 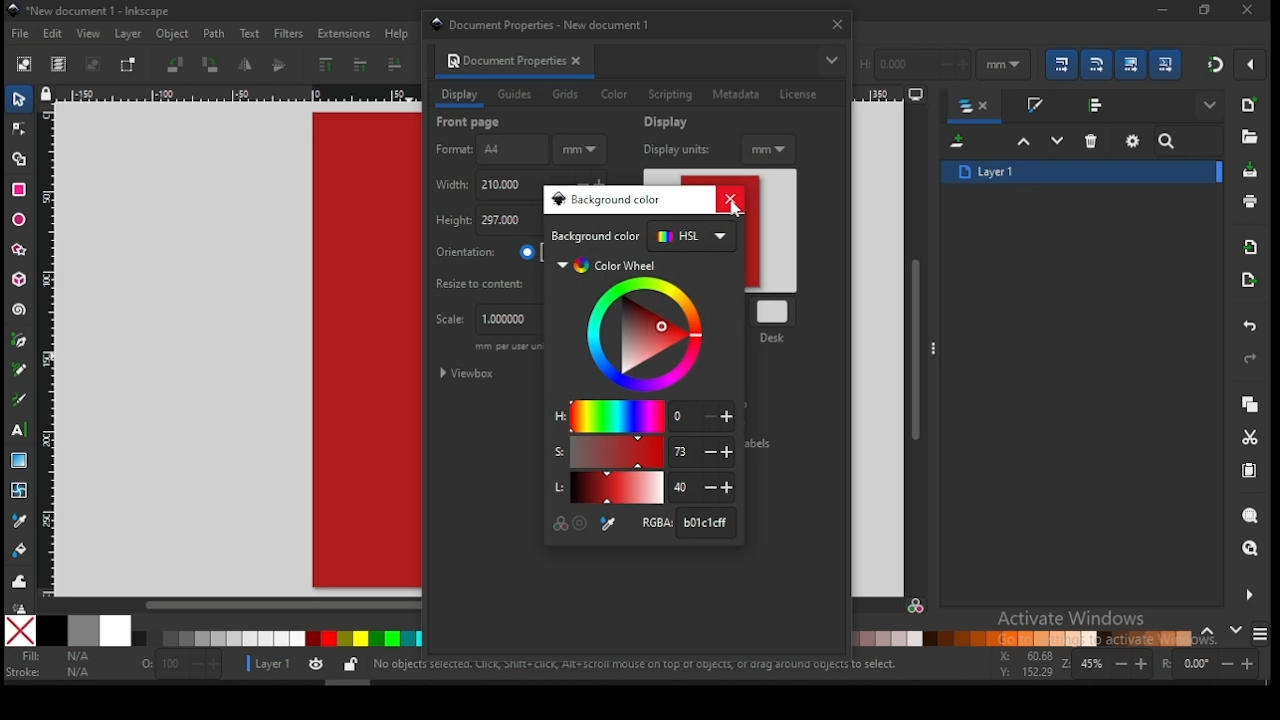 I want to click on extensions, so click(x=344, y=34).